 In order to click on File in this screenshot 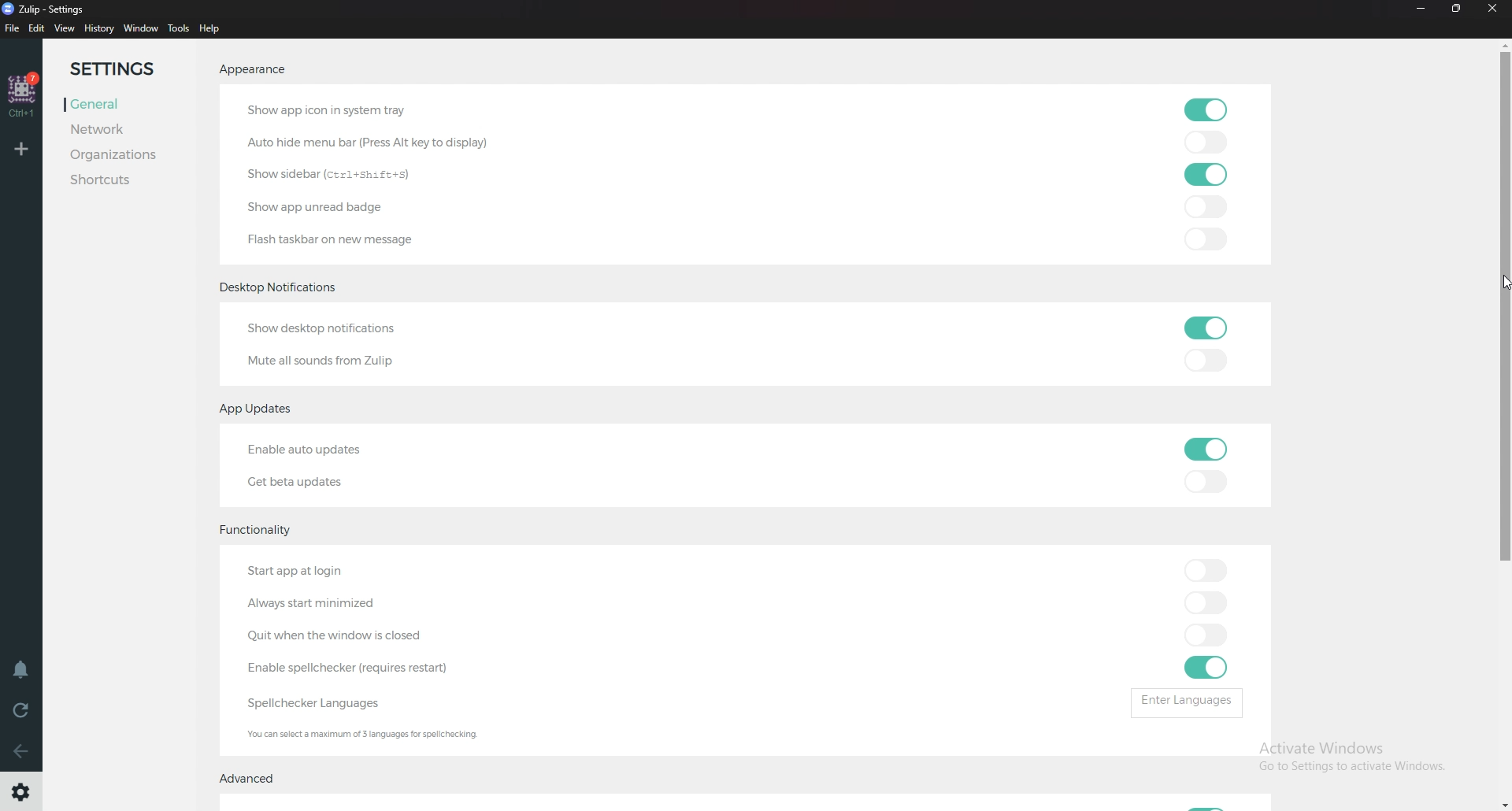, I will do `click(13, 29)`.